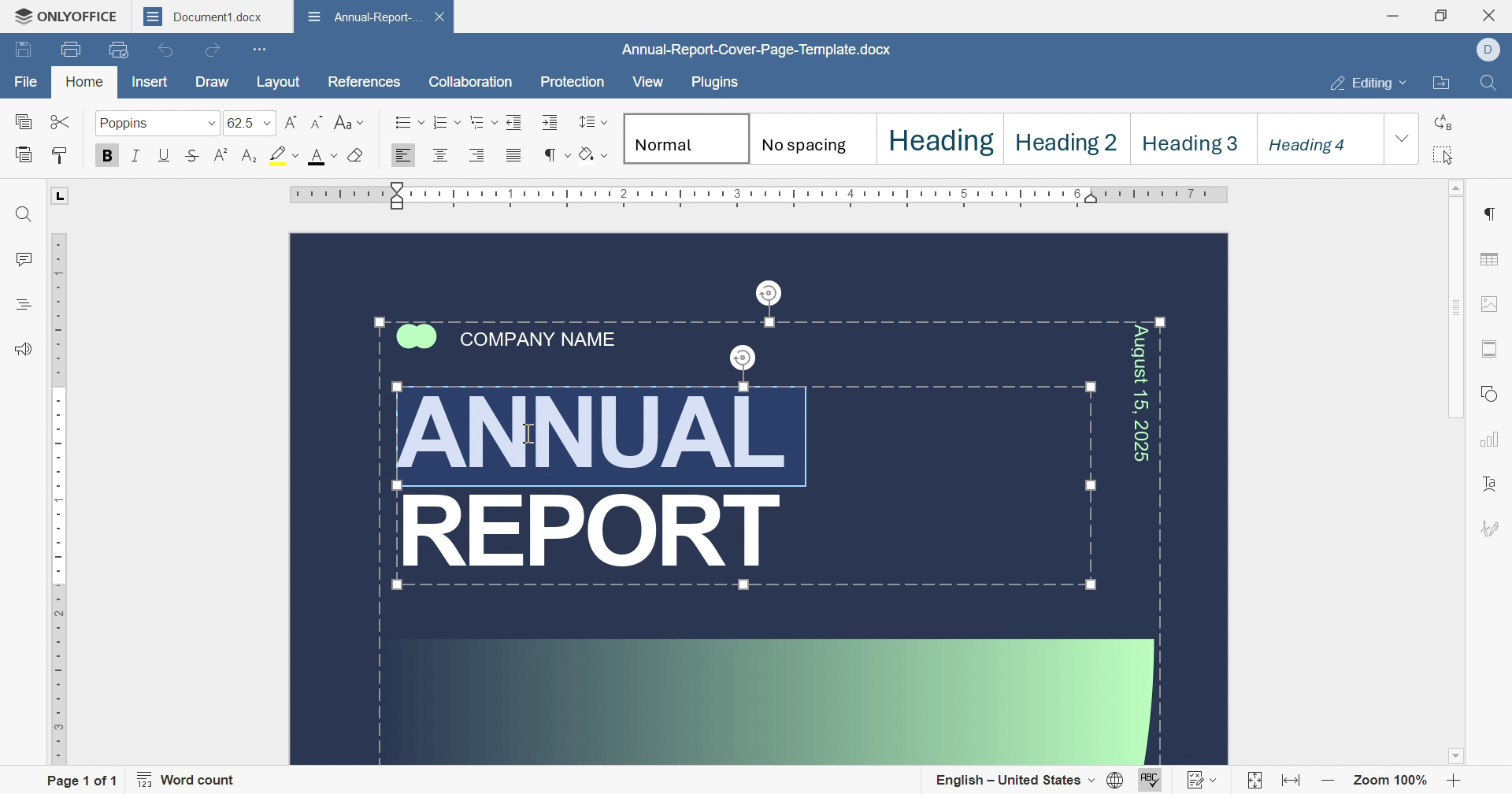 This screenshot has width=1512, height=794. What do you see at coordinates (1445, 121) in the screenshot?
I see `replace` at bounding box center [1445, 121].